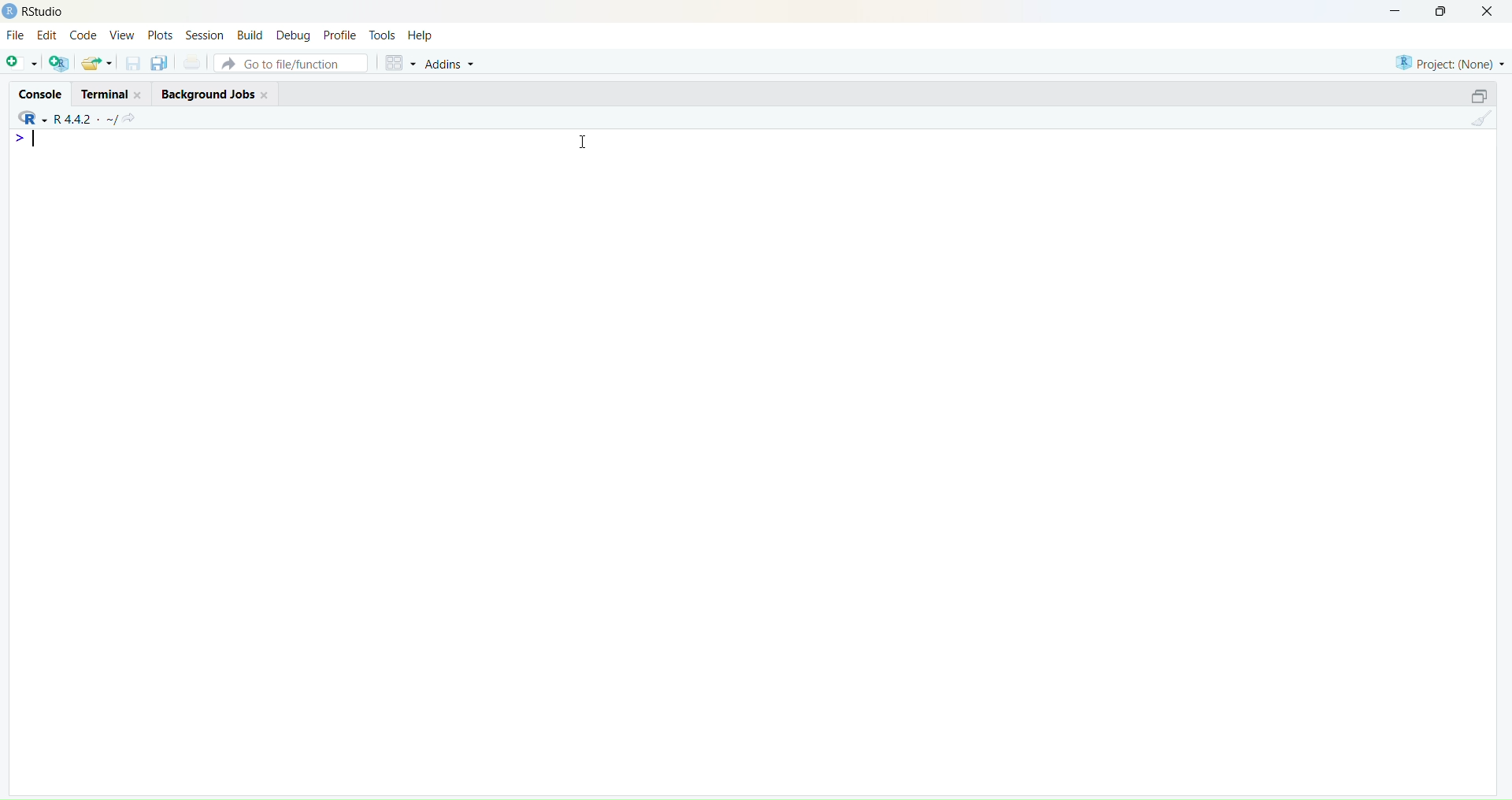  What do you see at coordinates (130, 118) in the screenshot?
I see `share icon` at bounding box center [130, 118].